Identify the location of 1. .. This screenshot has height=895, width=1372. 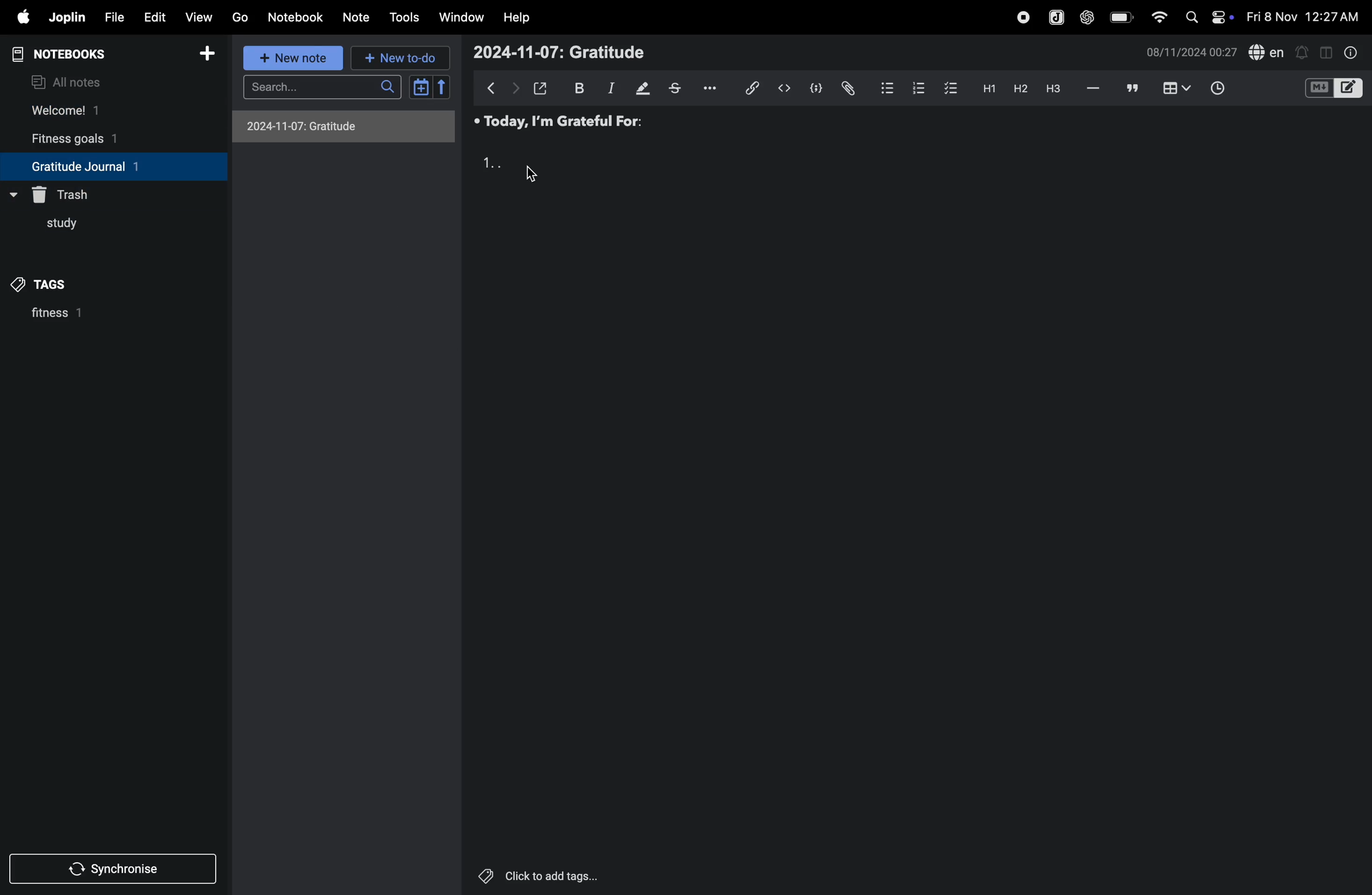
(491, 163).